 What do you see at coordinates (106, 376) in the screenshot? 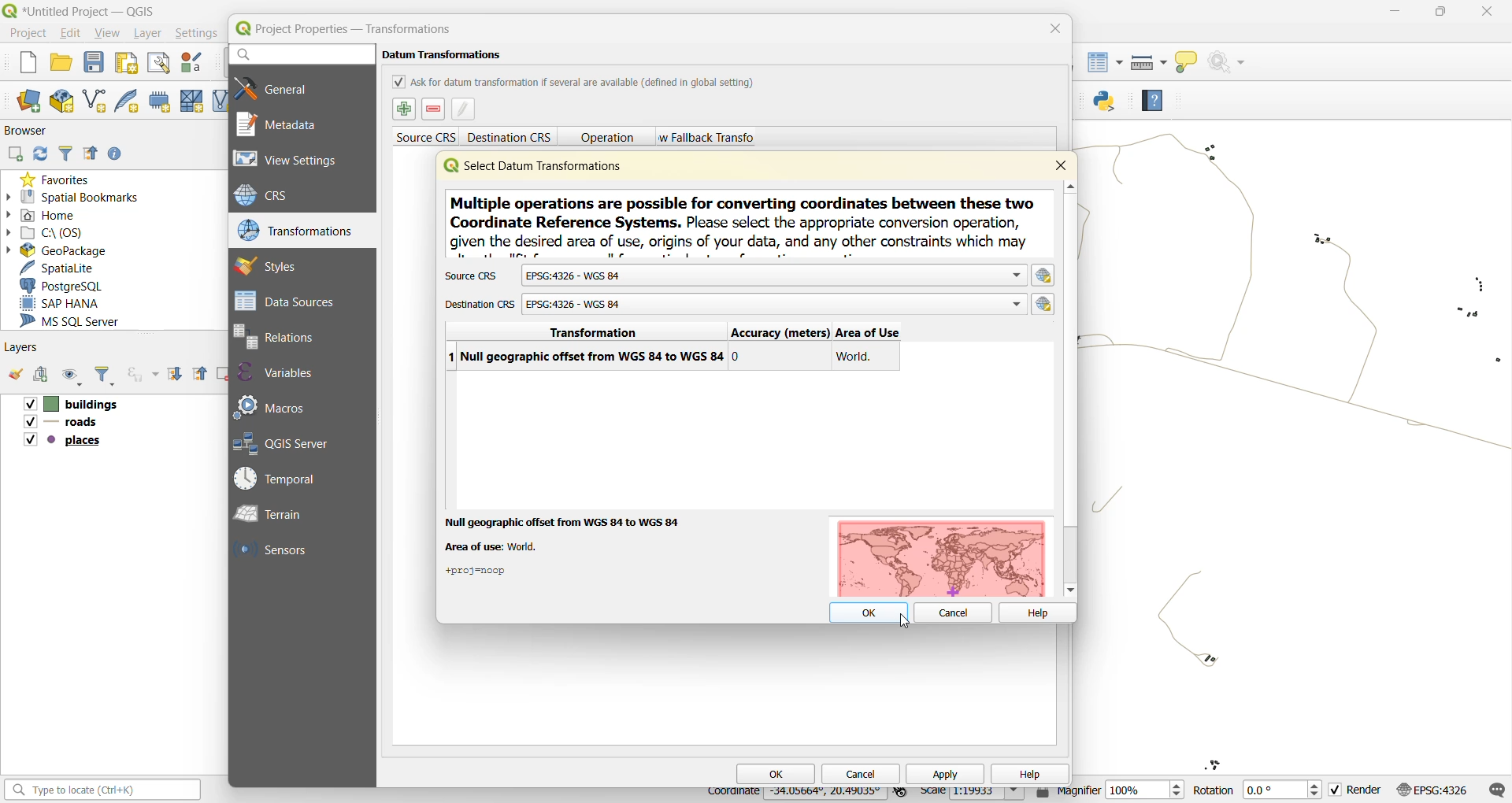
I see `filter` at bounding box center [106, 376].